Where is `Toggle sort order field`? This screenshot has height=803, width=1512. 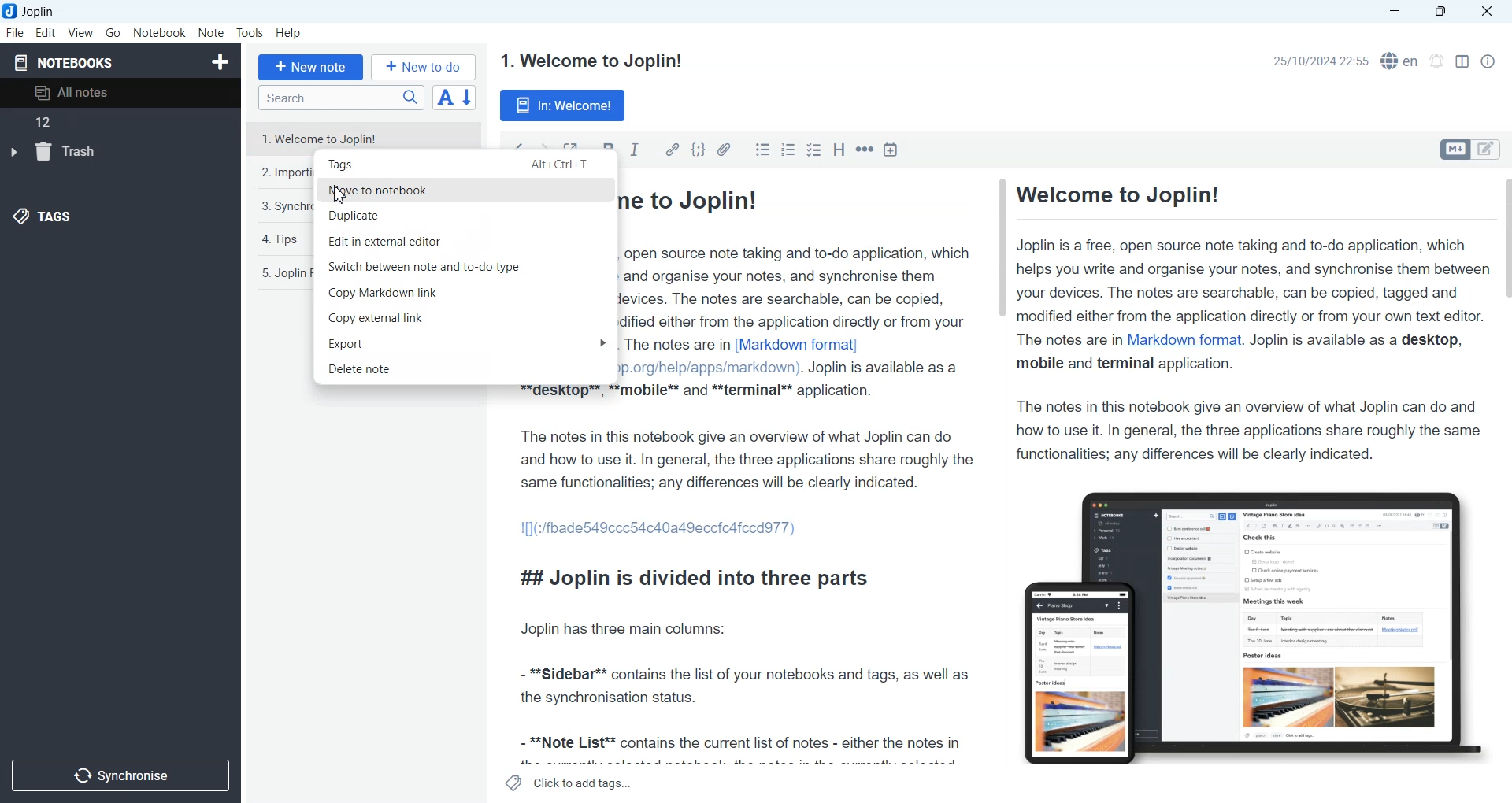 Toggle sort order field is located at coordinates (445, 97).